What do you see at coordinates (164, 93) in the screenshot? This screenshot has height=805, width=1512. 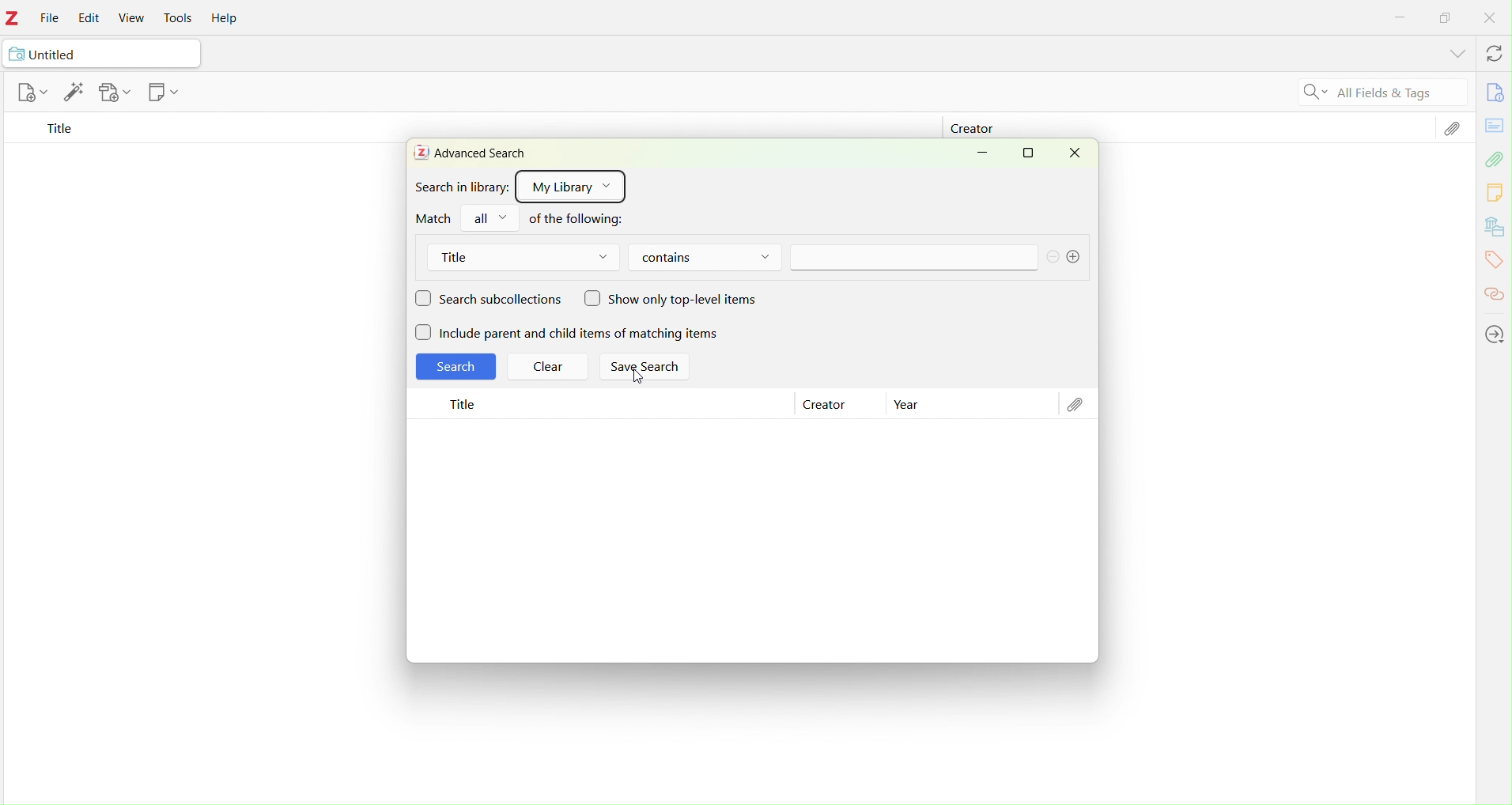 I see `Reference` at bounding box center [164, 93].